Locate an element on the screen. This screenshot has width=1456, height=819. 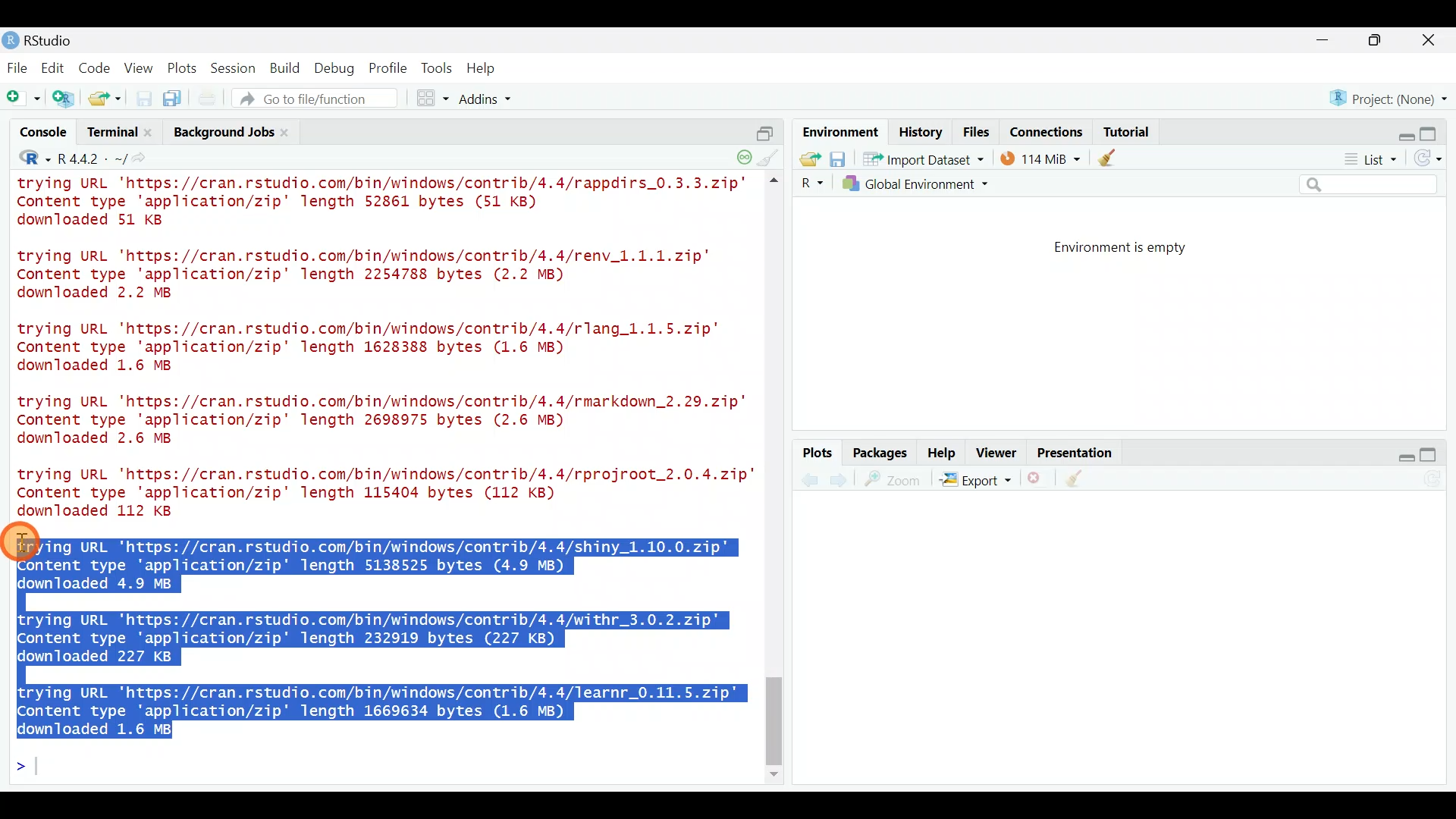
Refresh current plot is located at coordinates (1437, 480).